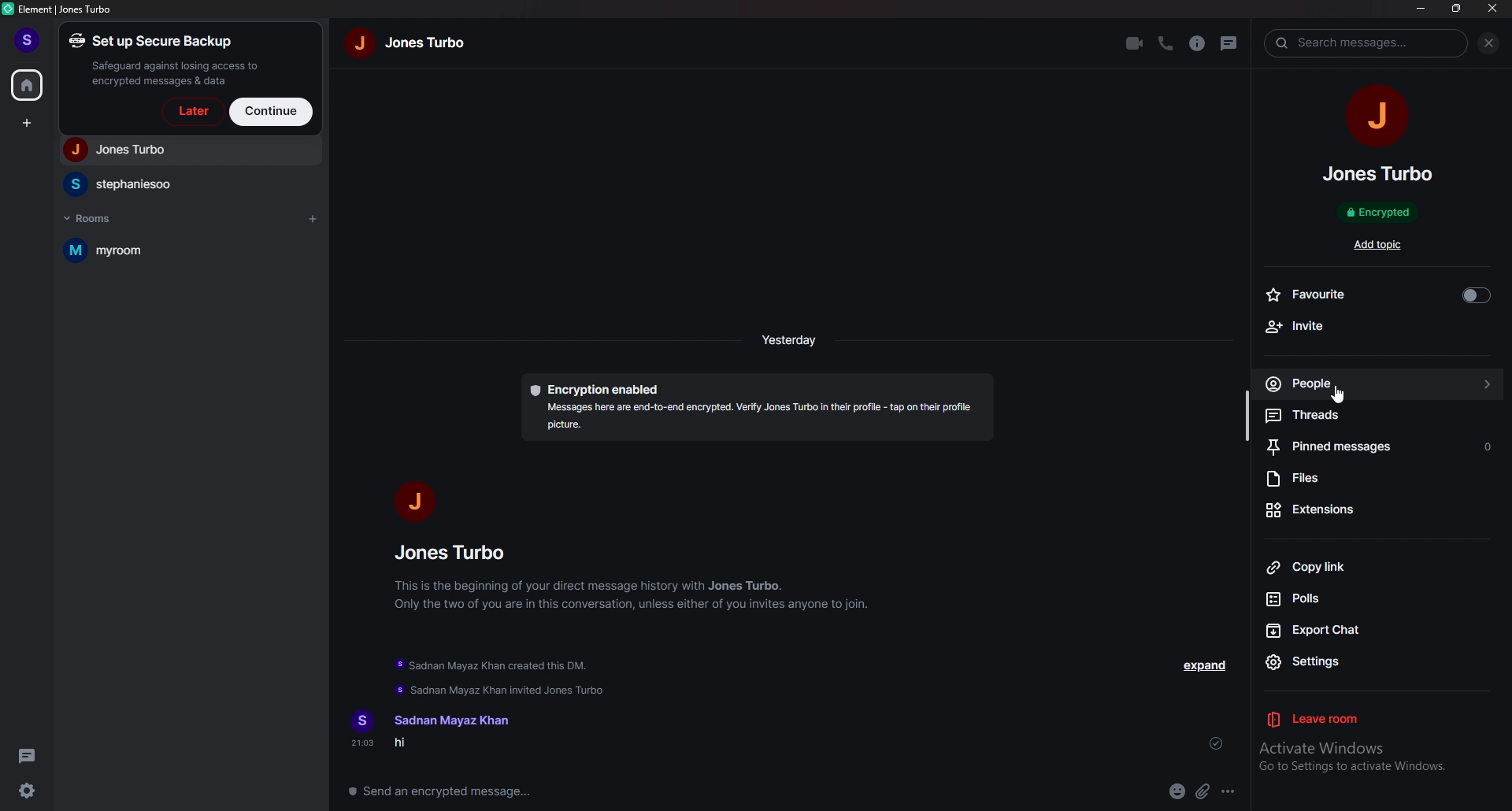 This screenshot has width=1512, height=811. What do you see at coordinates (28, 83) in the screenshot?
I see `home` at bounding box center [28, 83].